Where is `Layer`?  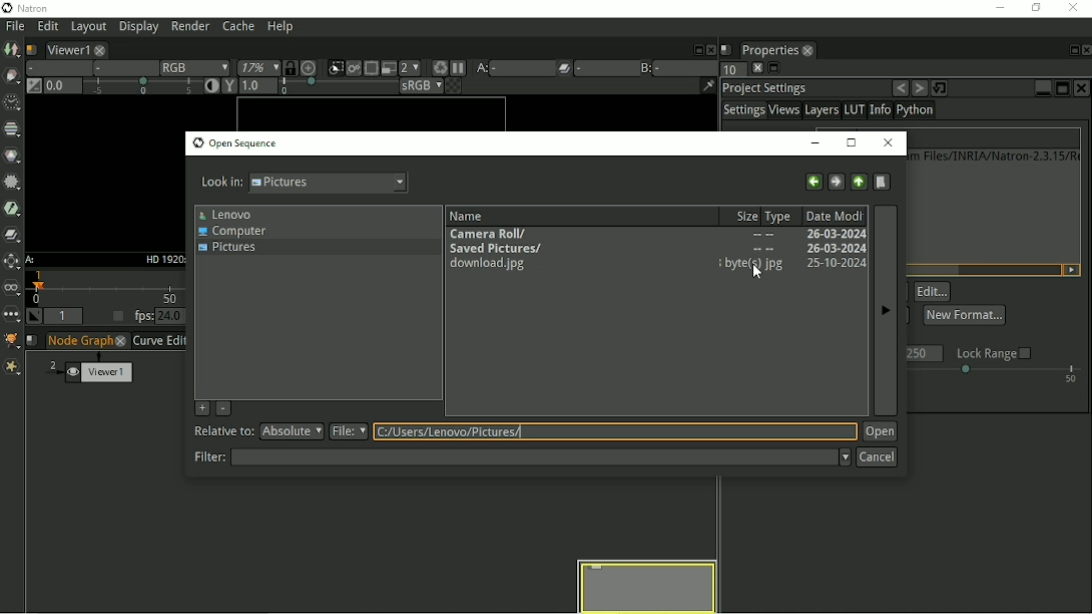 Layer is located at coordinates (55, 68).